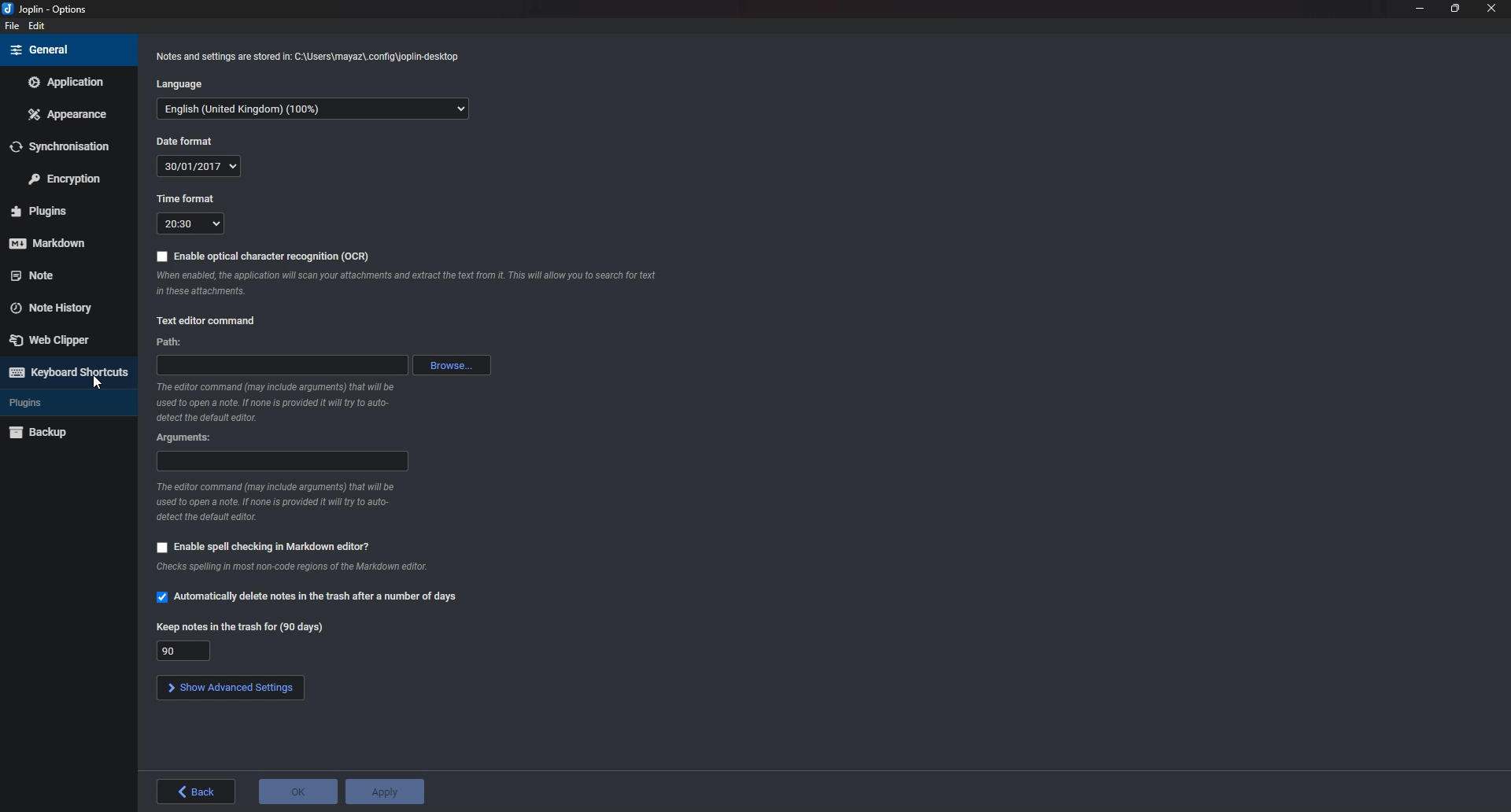 This screenshot has width=1511, height=812. I want to click on Date format, so click(187, 140).